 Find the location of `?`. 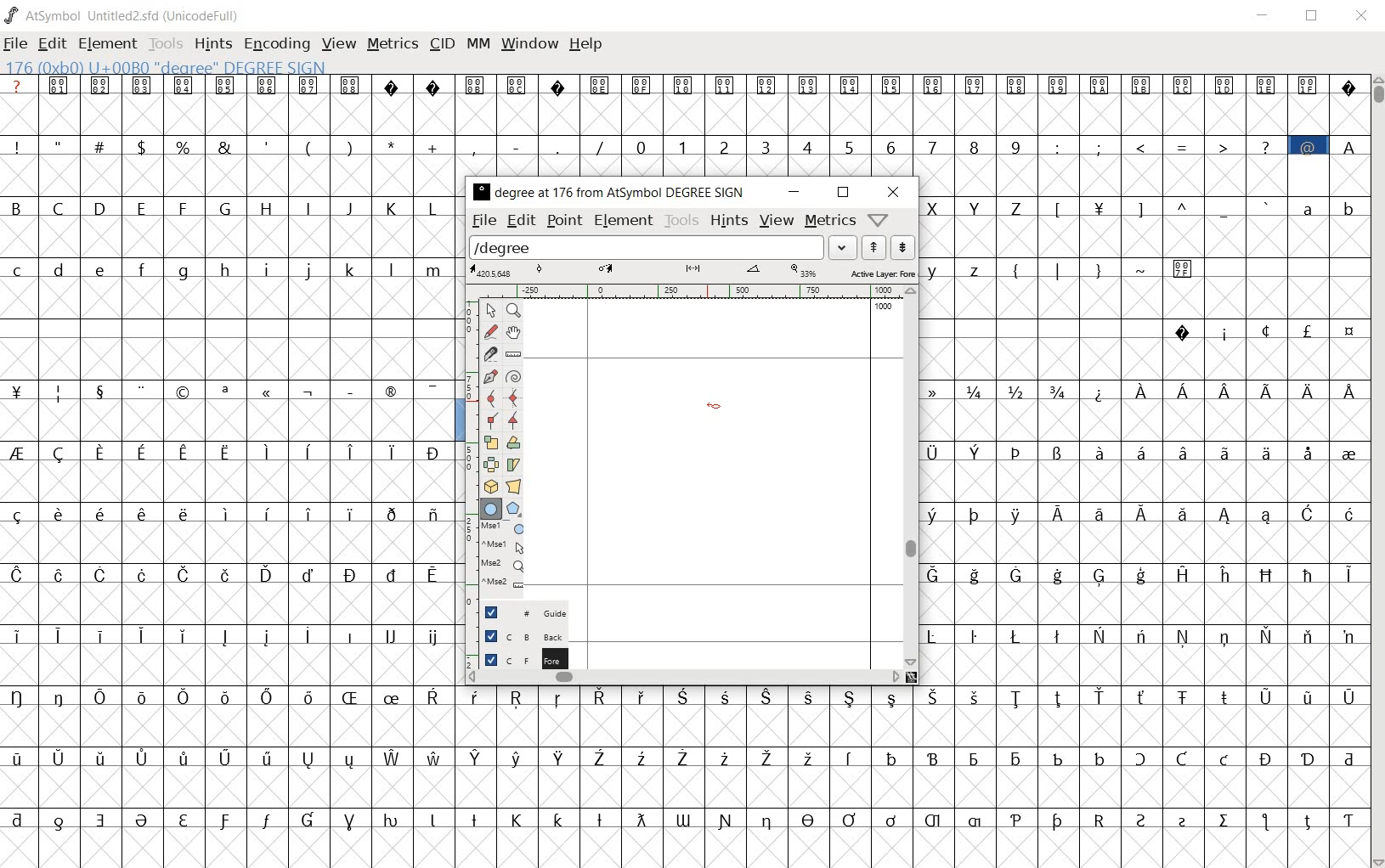

? is located at coordinates (17, 86).